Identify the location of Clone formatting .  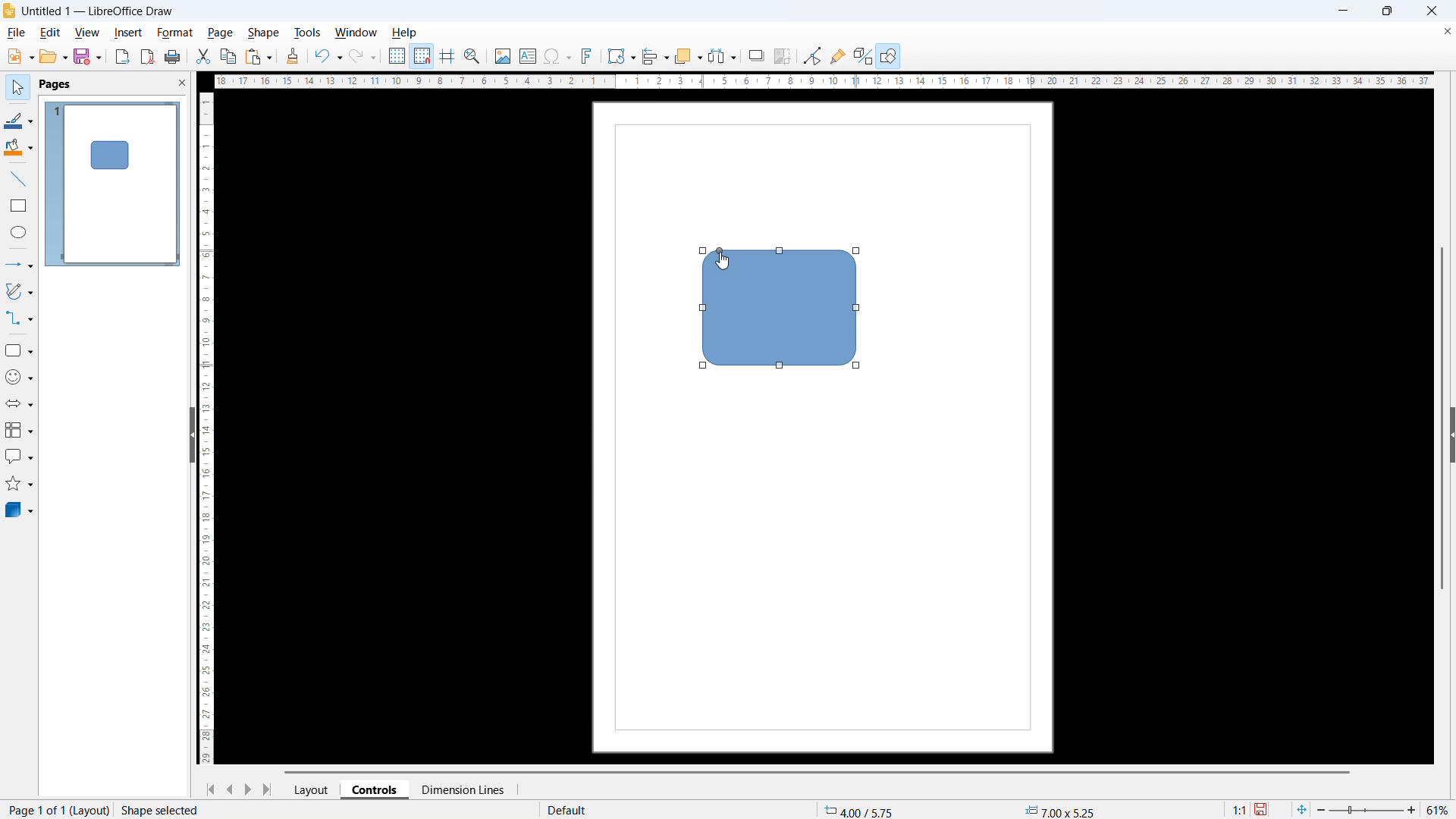
(293, 57).